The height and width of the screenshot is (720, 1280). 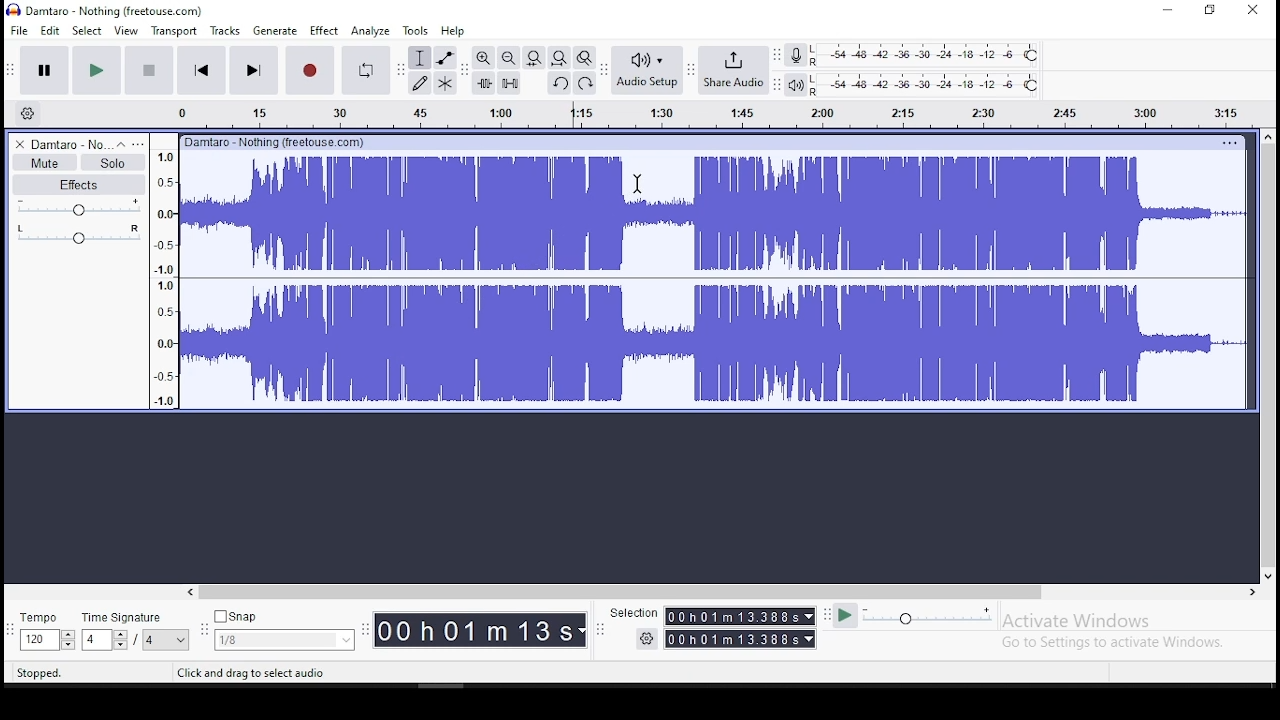 What do you see at coordinates (310, 70) in the screenshot?
I see `record` at bounding box center [310, 70].